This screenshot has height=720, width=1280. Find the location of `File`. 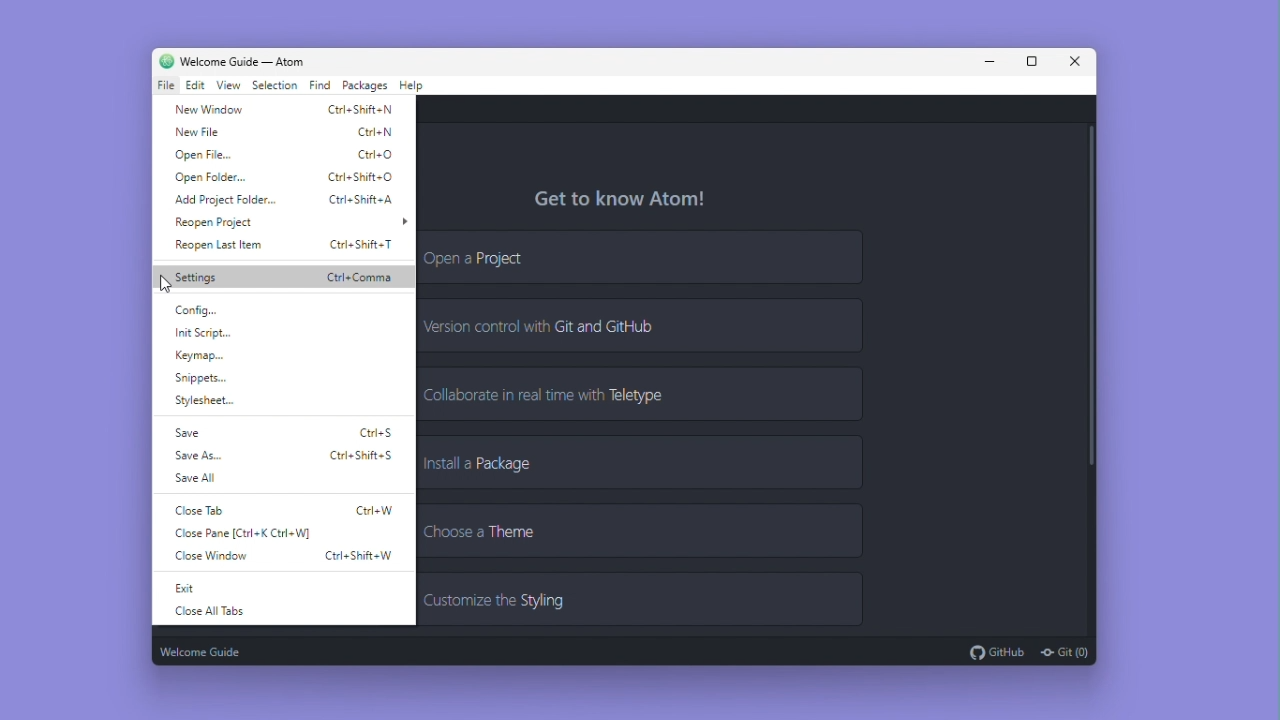

File is located at coordinates (163, 88).